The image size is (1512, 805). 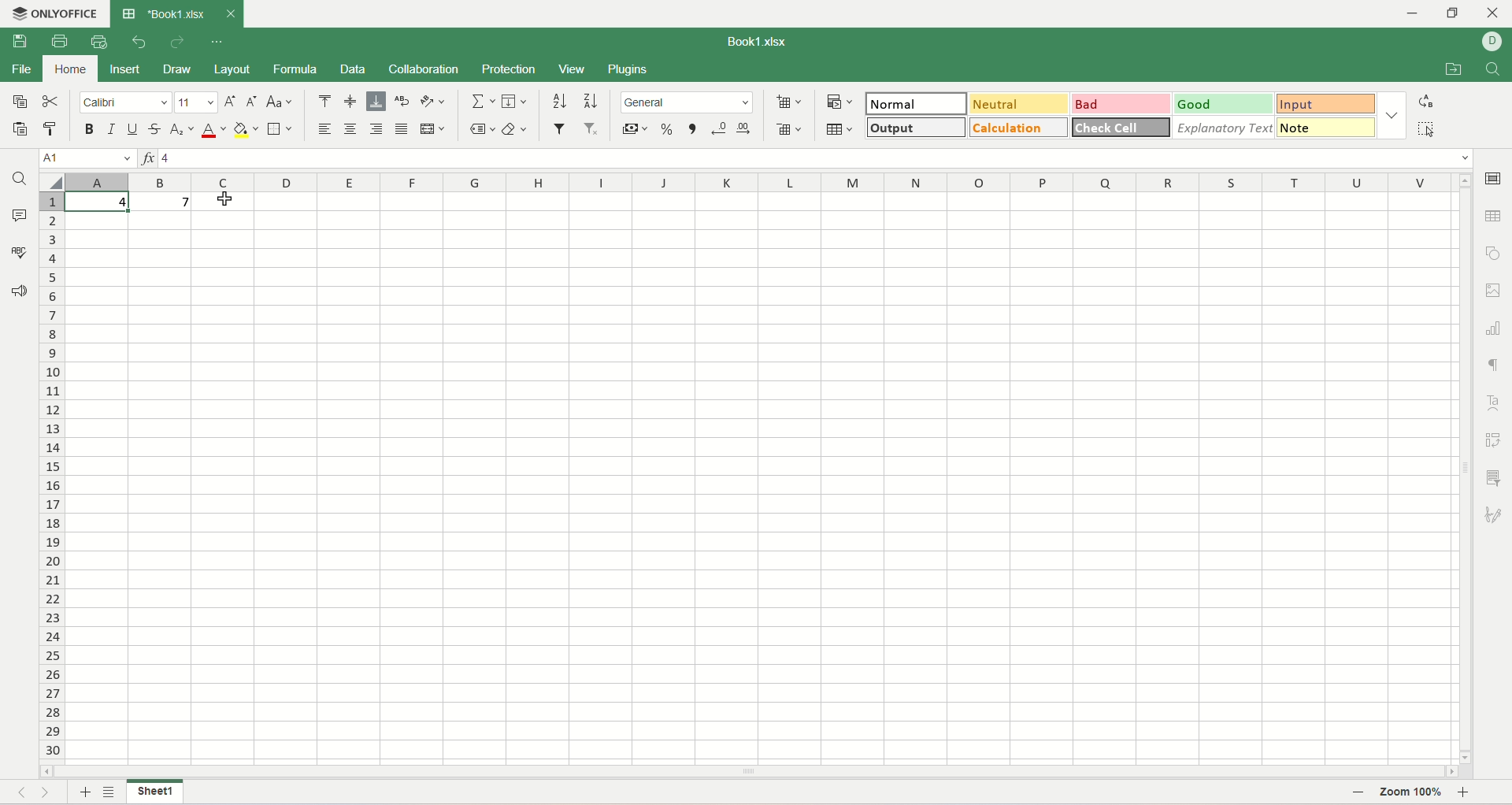 What do you see at coordinates (1494, 180) in the screenshot?
I see `cell settings` at bounding box center [1494, 180].